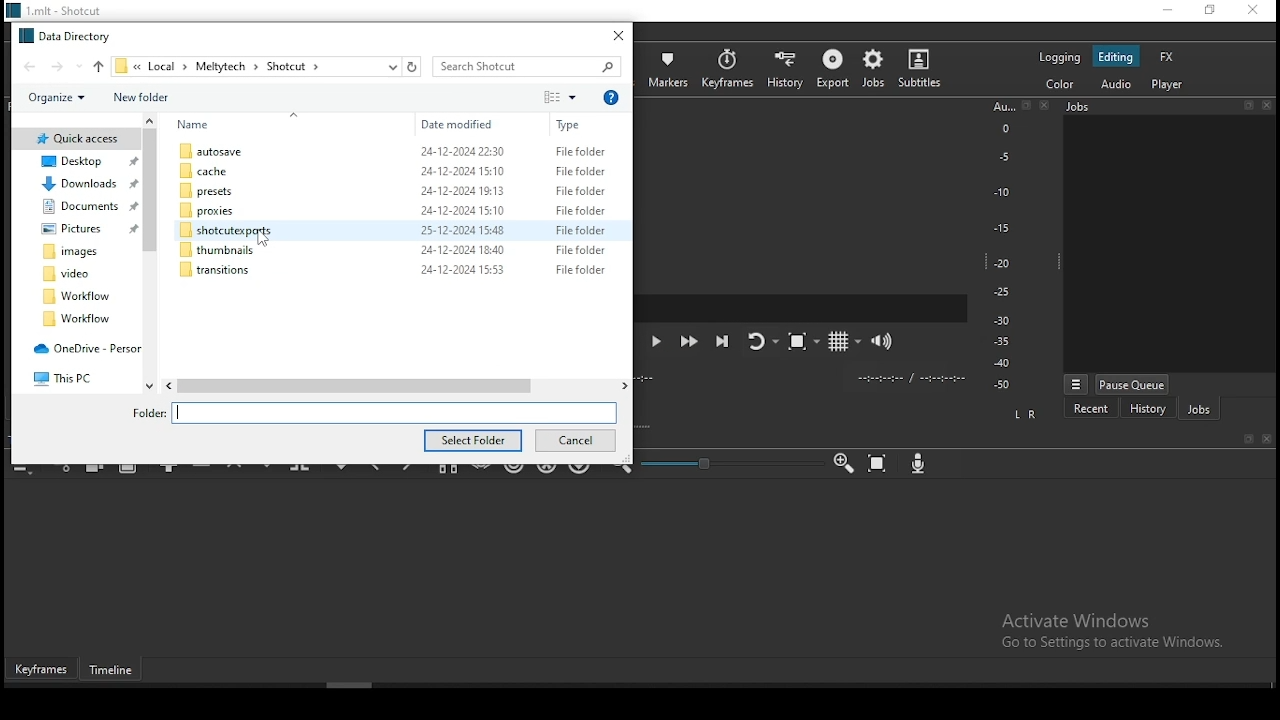 The image size is (1280, 720). What do you see at coordinates (691, 342) in the screenshot?
I see `play quickly forwards` at bounding box center [691, 342].